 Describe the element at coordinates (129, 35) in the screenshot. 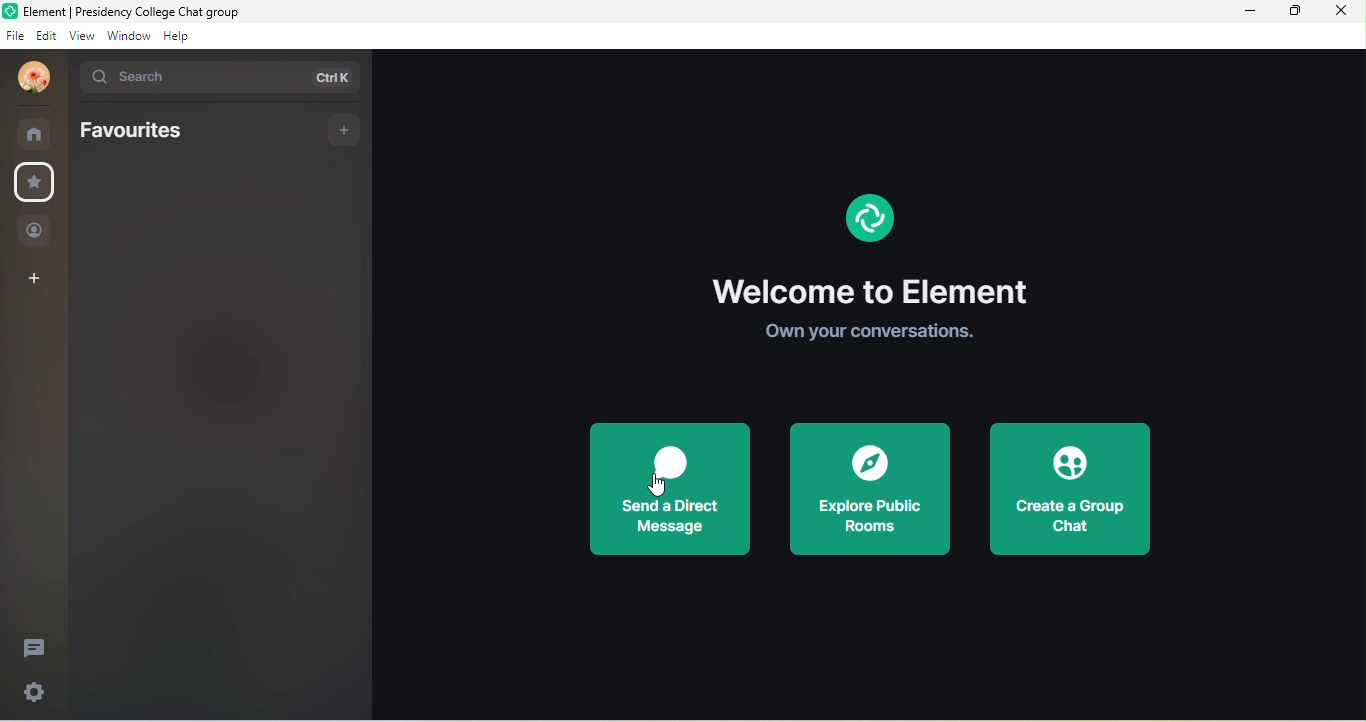

I see `window` at that location.